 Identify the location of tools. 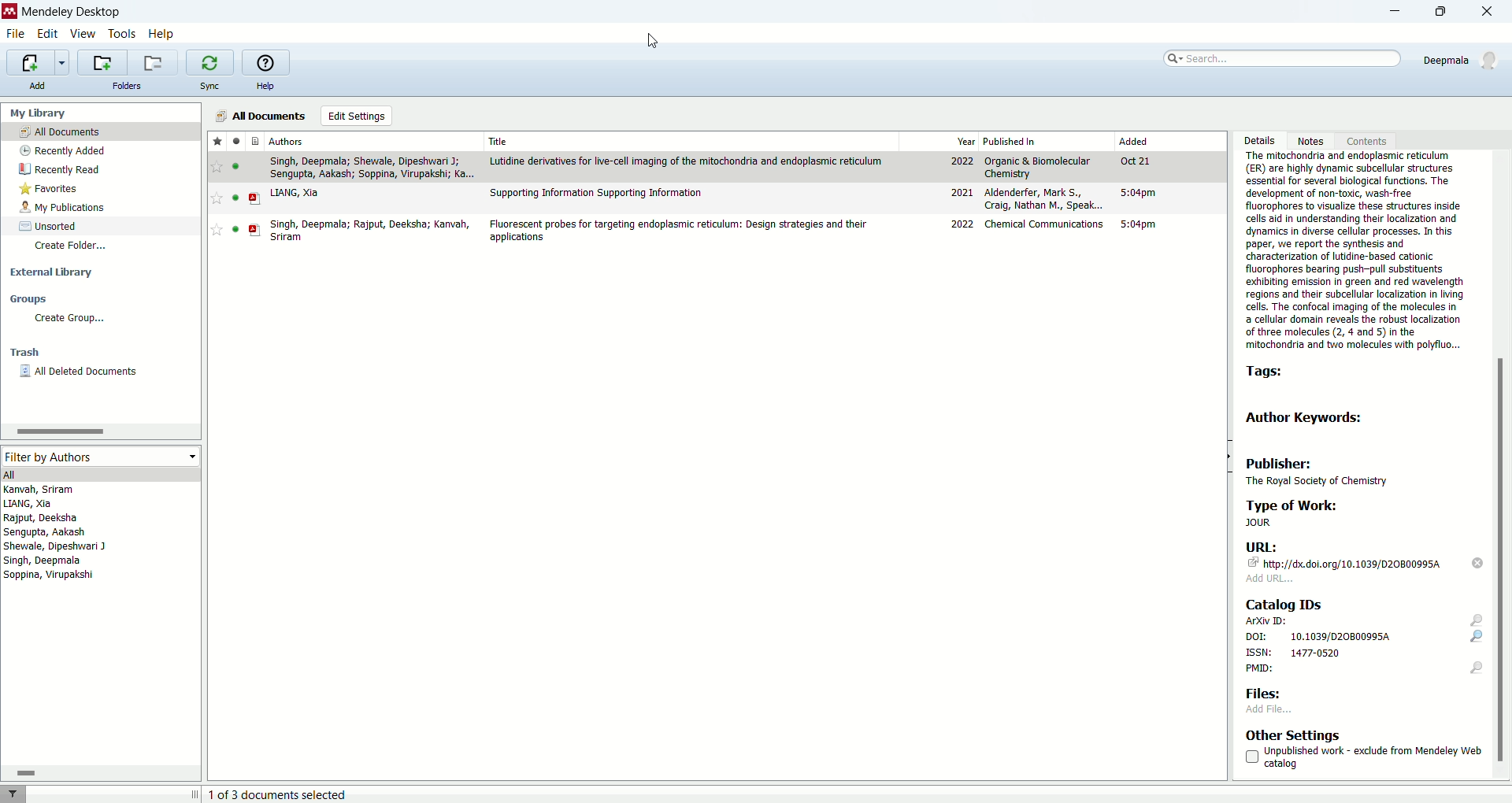
(123, 35).